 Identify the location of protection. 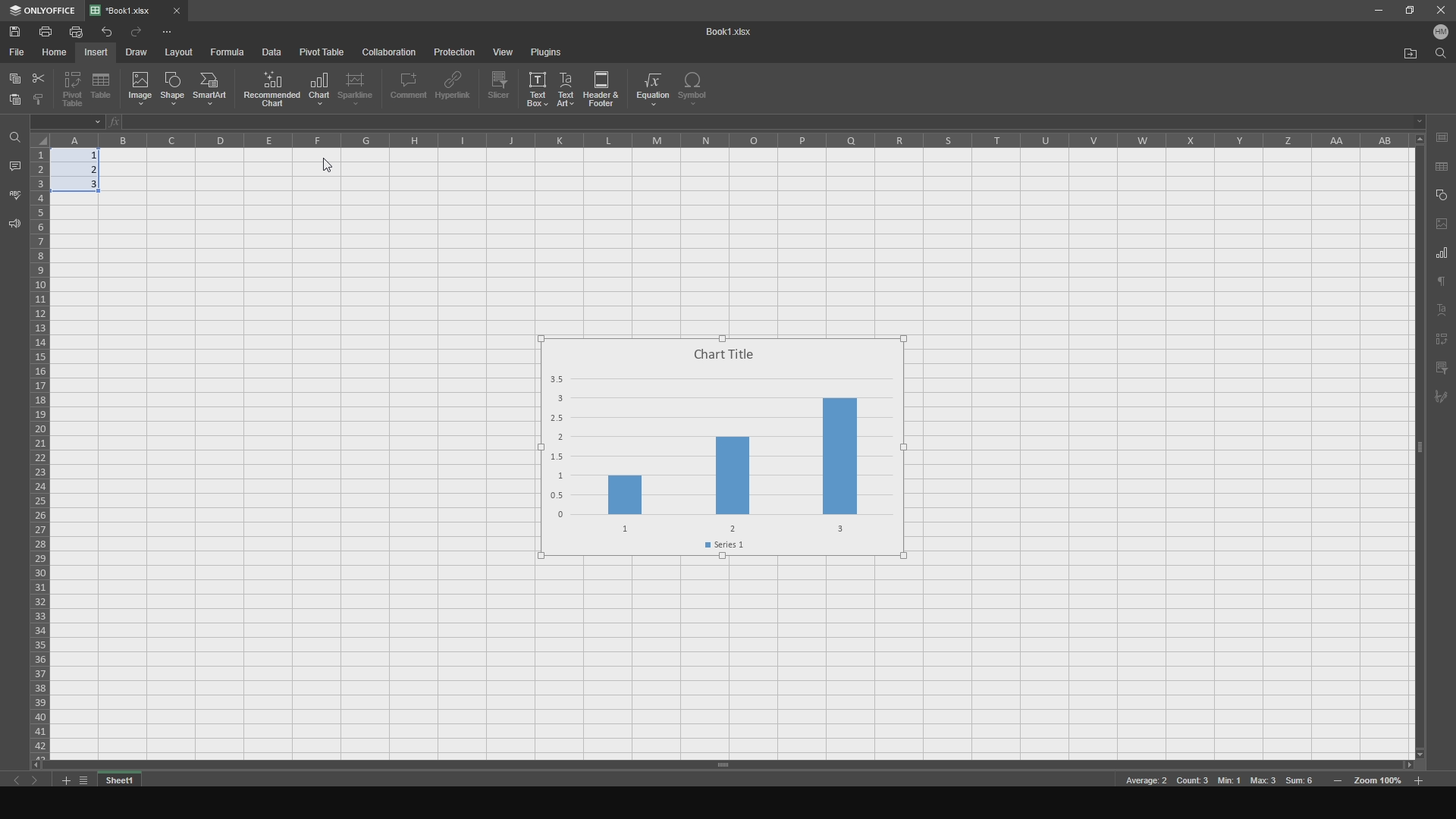
(453, 52).